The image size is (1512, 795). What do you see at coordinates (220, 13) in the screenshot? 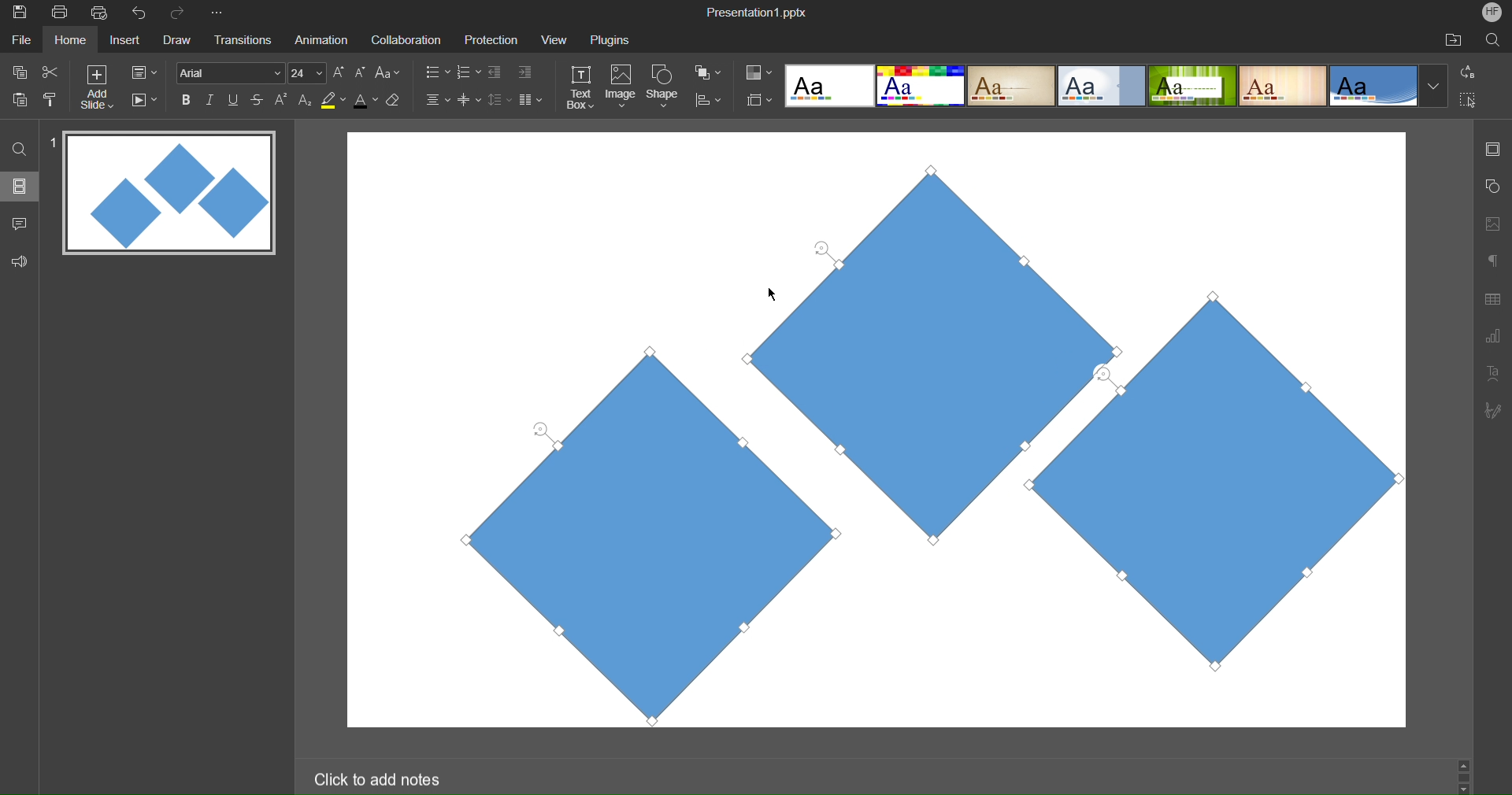
I see `More` at bounding box center [220, 13].